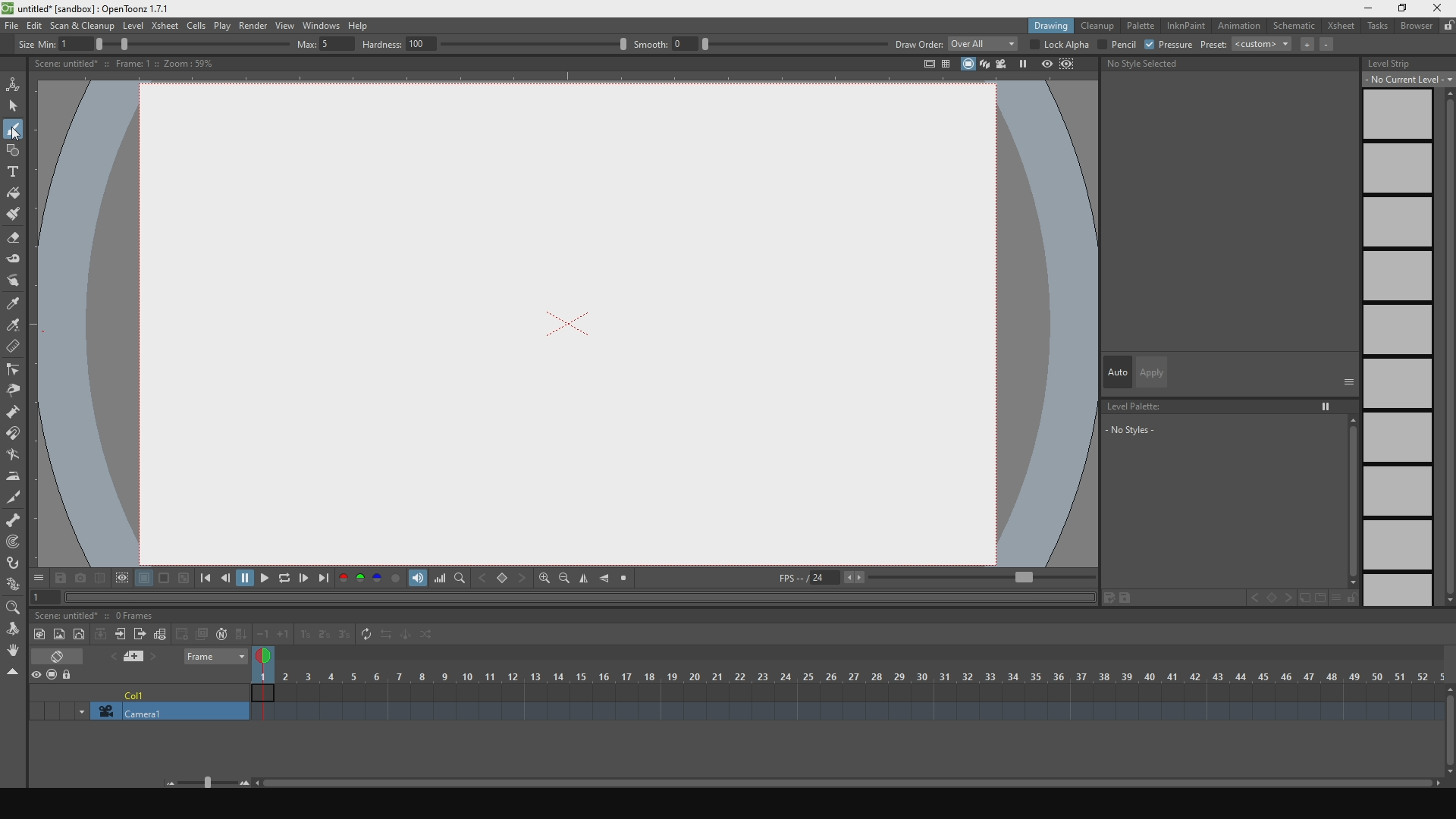 This screenshot has height=819, width=1456. What do you see at coordinates (1241, 27) in the screenshot?
I see `animation` at bounding box center [1241, 27].